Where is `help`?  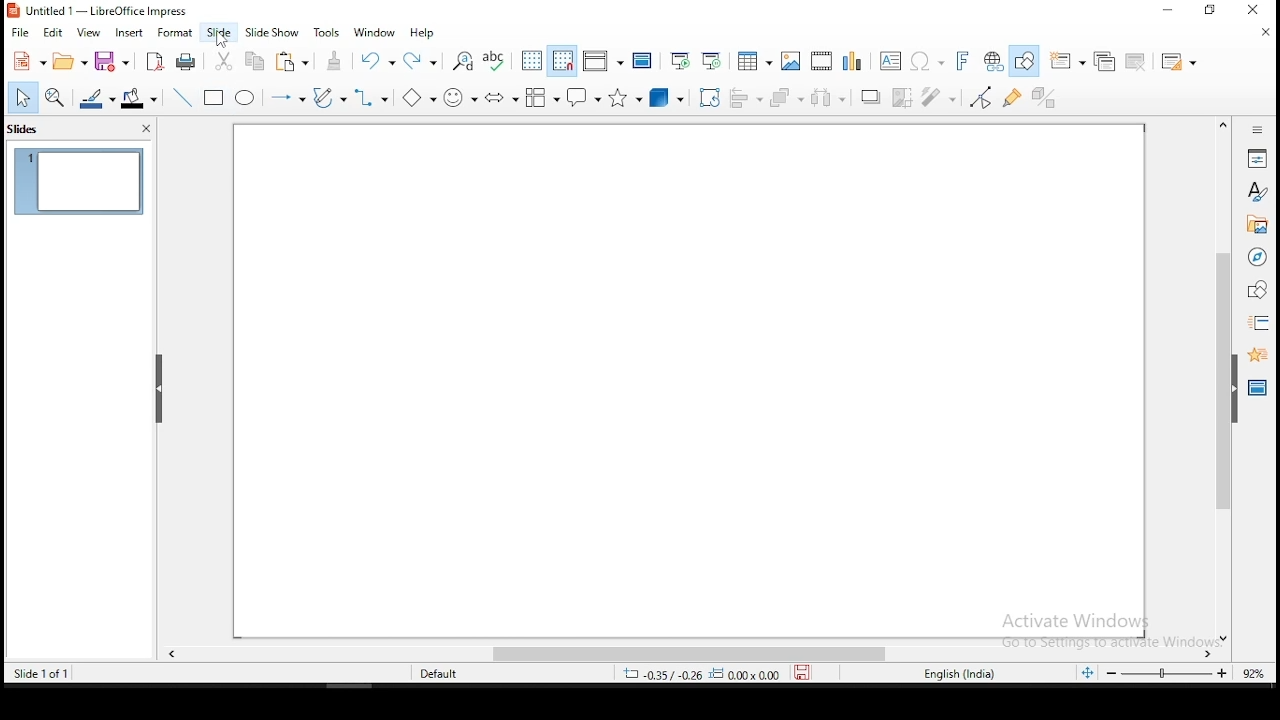
help is located at coordinates (424, 36).